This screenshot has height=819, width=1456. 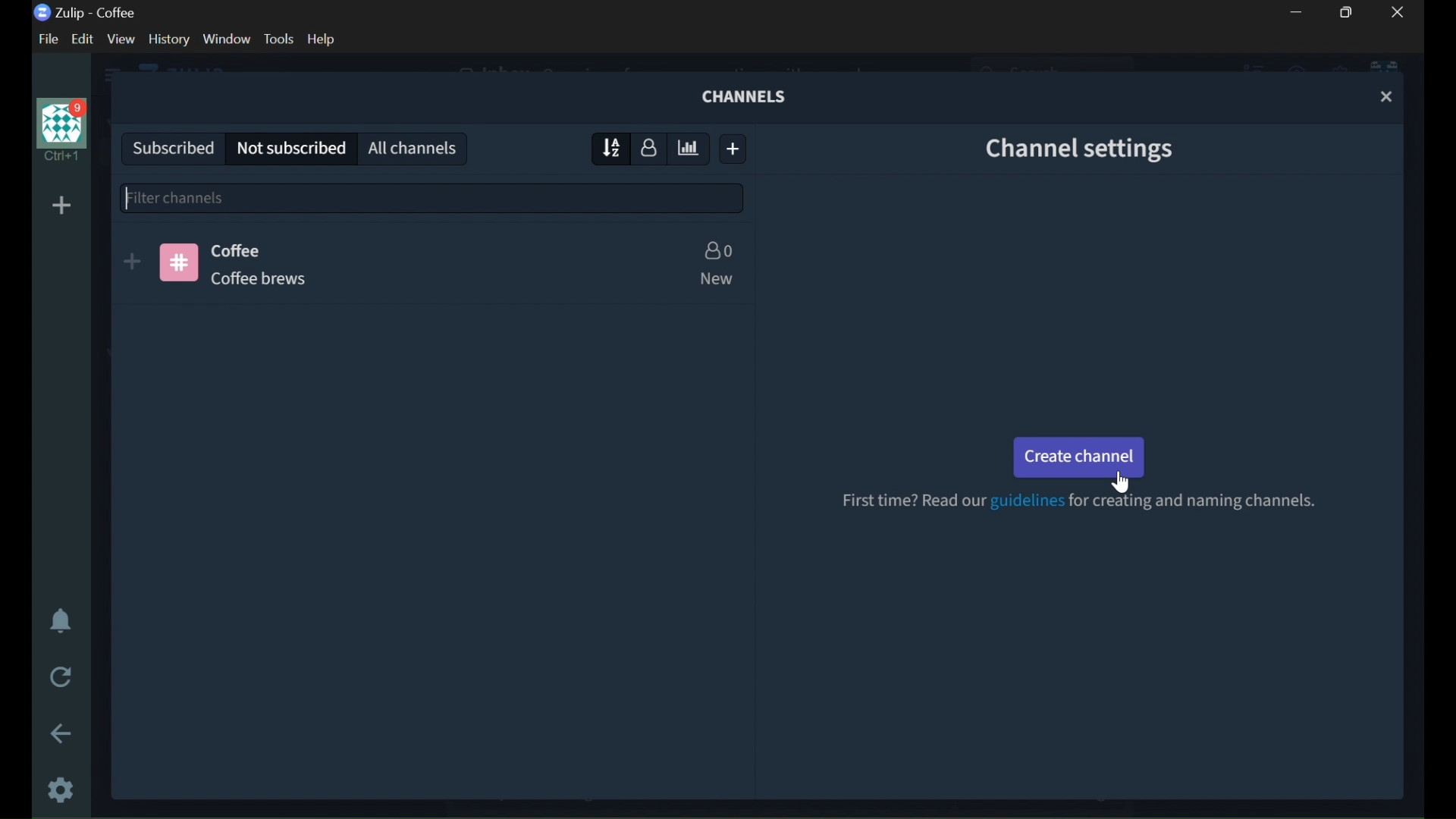 I want to click on SORT BY ESTIMATE, so click(x=690, y=149).